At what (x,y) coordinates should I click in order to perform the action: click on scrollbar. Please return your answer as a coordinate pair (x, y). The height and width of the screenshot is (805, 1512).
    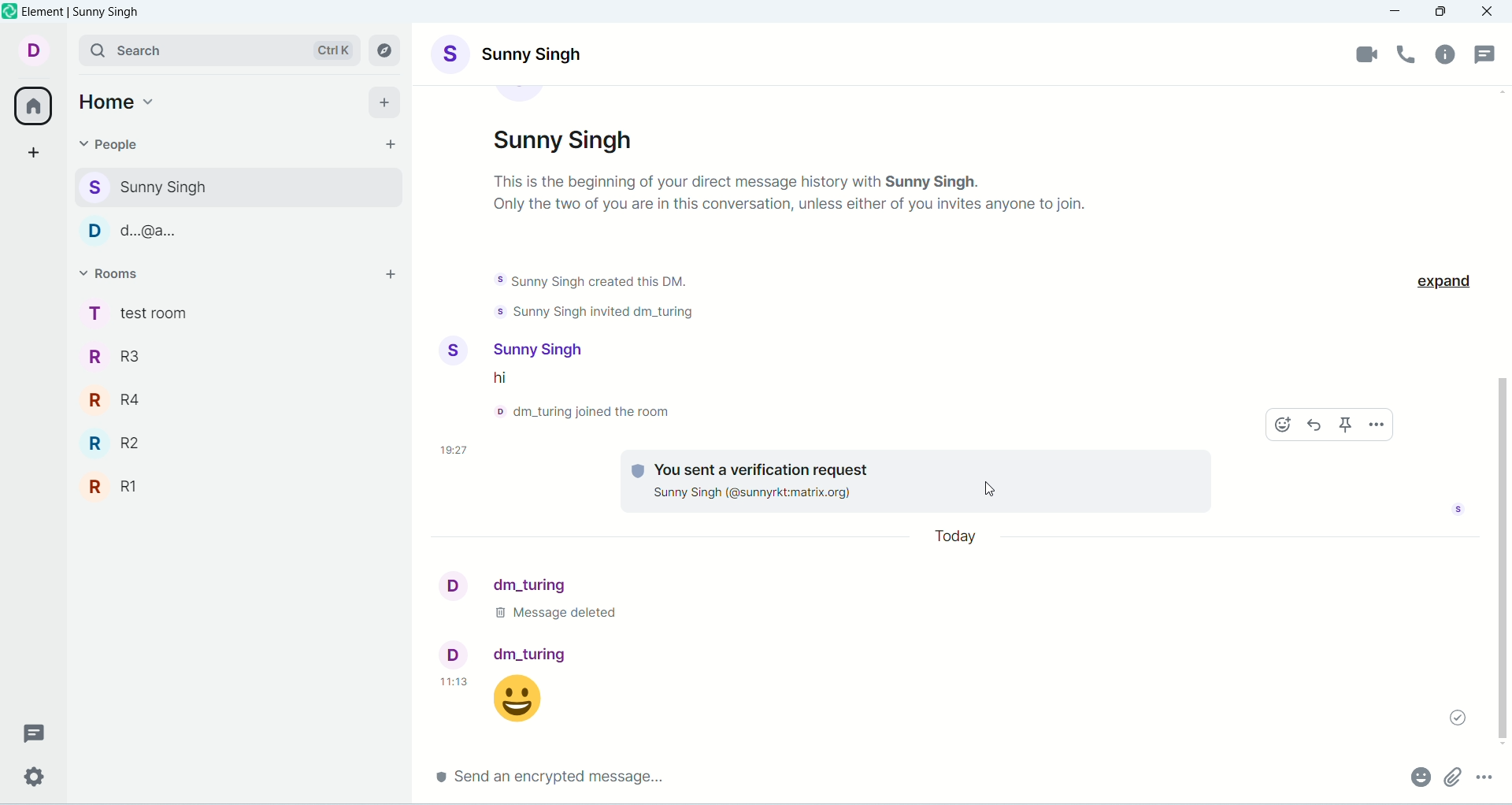
    Looking at the image, I should click on (1503, 558).